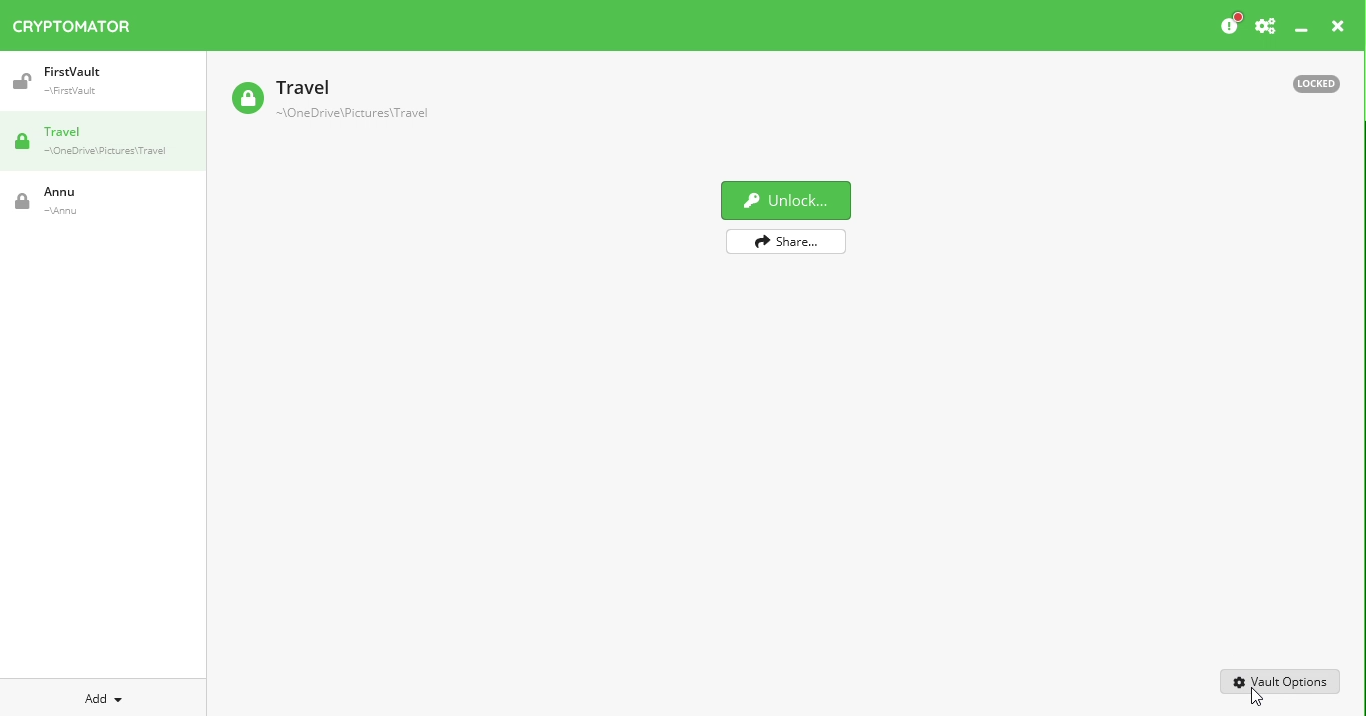 The image size is (1366, 716). What do you see at coordinates (1307, 82) in the screenshot?
I see `Locked` at bounding box center [1307, 82].